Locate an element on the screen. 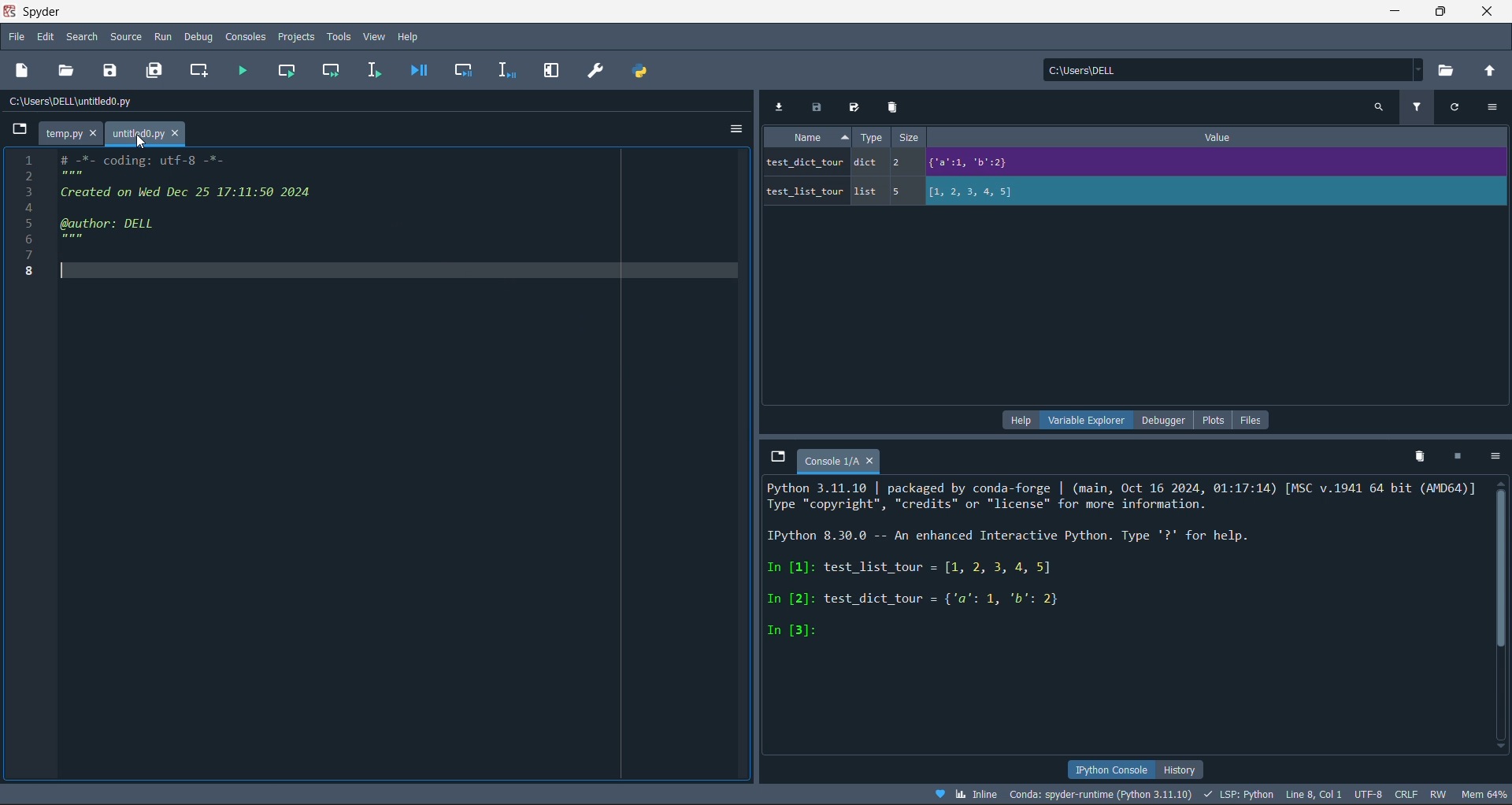 This screenshot has width=1512, height=805. Python 3.11.10 | packaged by conda-forge | (main, Oct 16 2024, 01:17:14) [MSC v.1941 64 bit (AMDG4)]
Type “copyright”, "credits" or "license" for more information.

Python 8.30.0 -- An enhanced Interactive Python. Type "2" for help.

In [1]: test_list_tour = [1, 2, 3, 4, 5]

In [2]: test_dict tour = {'a’: 1, 'b’: 2}

In [3]: is located at coordinates (1122, 584).